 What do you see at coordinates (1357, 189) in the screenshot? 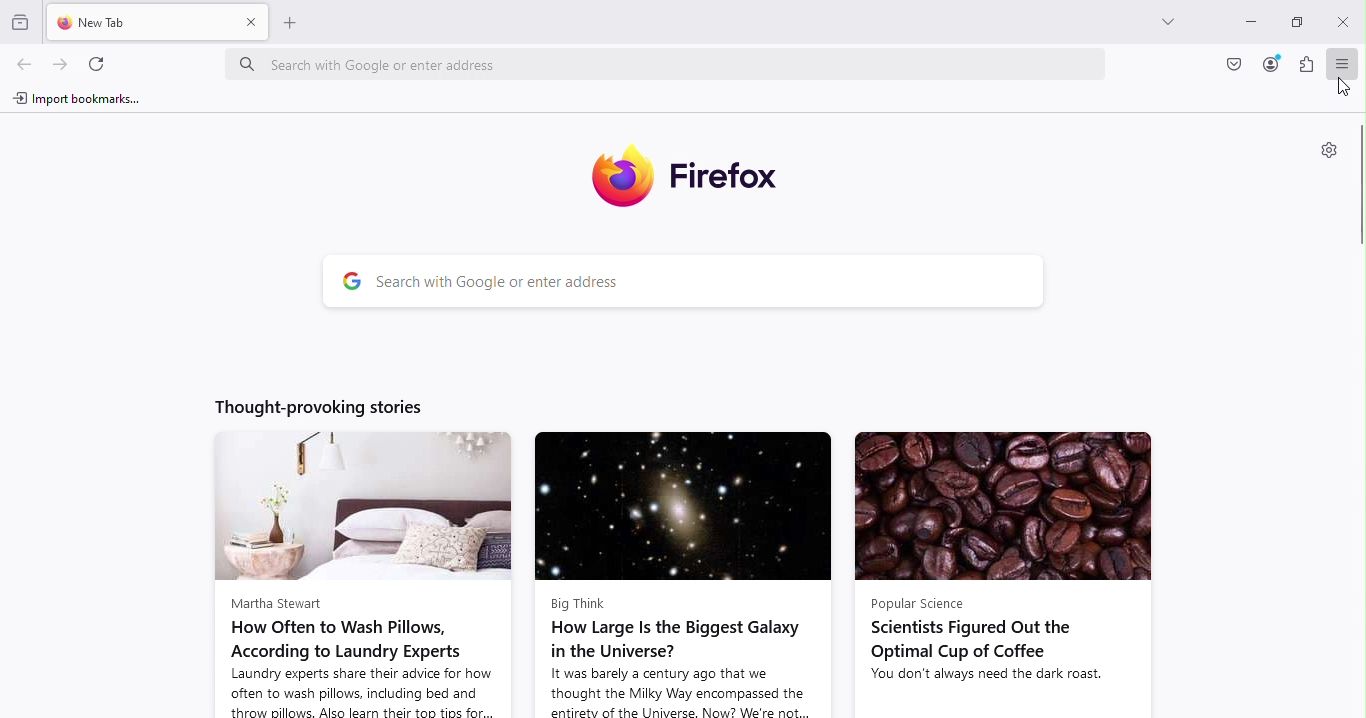
I see `vertical scrollbar` at bounding box center [1357, 189].